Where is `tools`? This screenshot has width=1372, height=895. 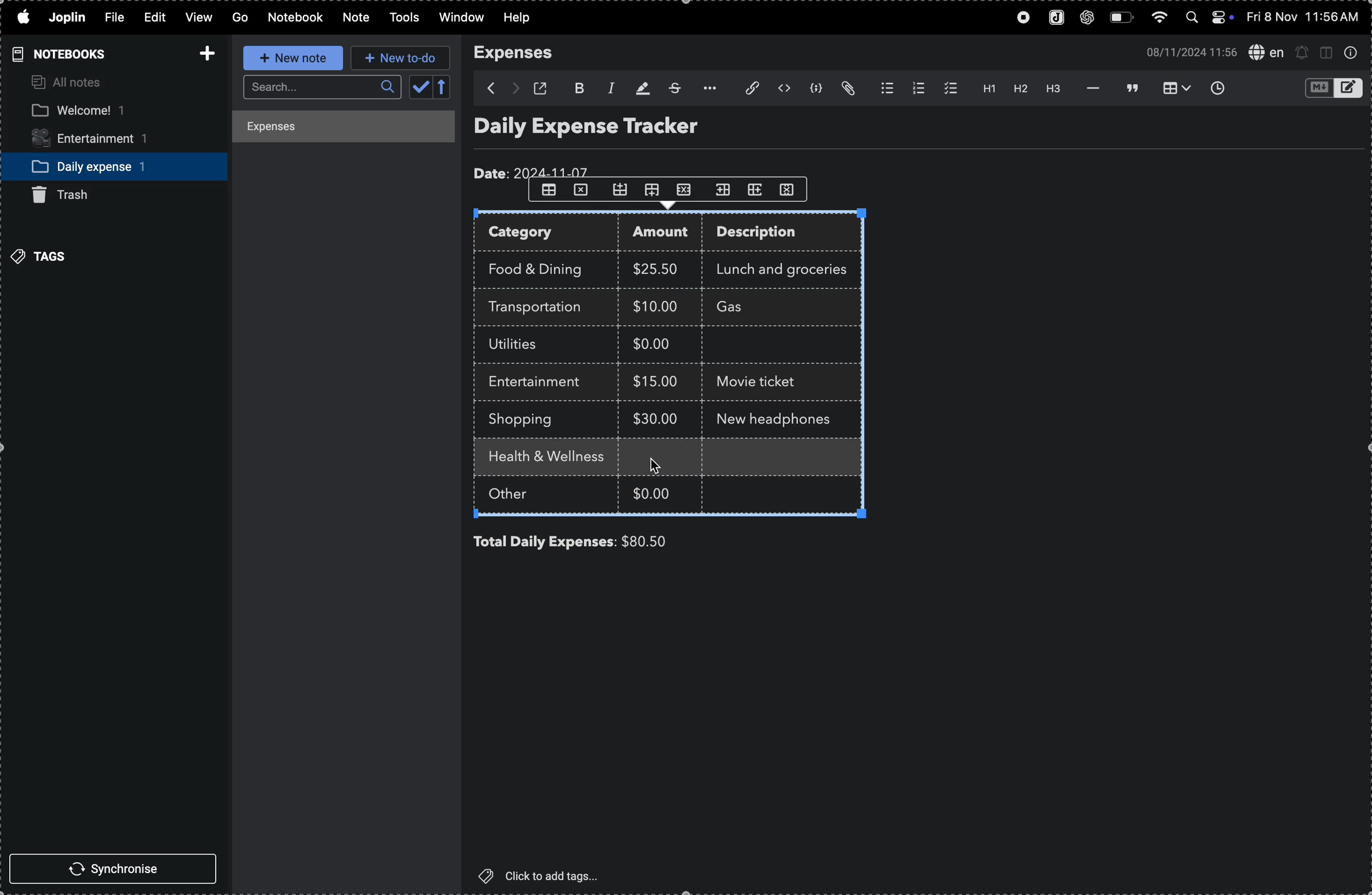 tools is located at coordinates (401, 18).